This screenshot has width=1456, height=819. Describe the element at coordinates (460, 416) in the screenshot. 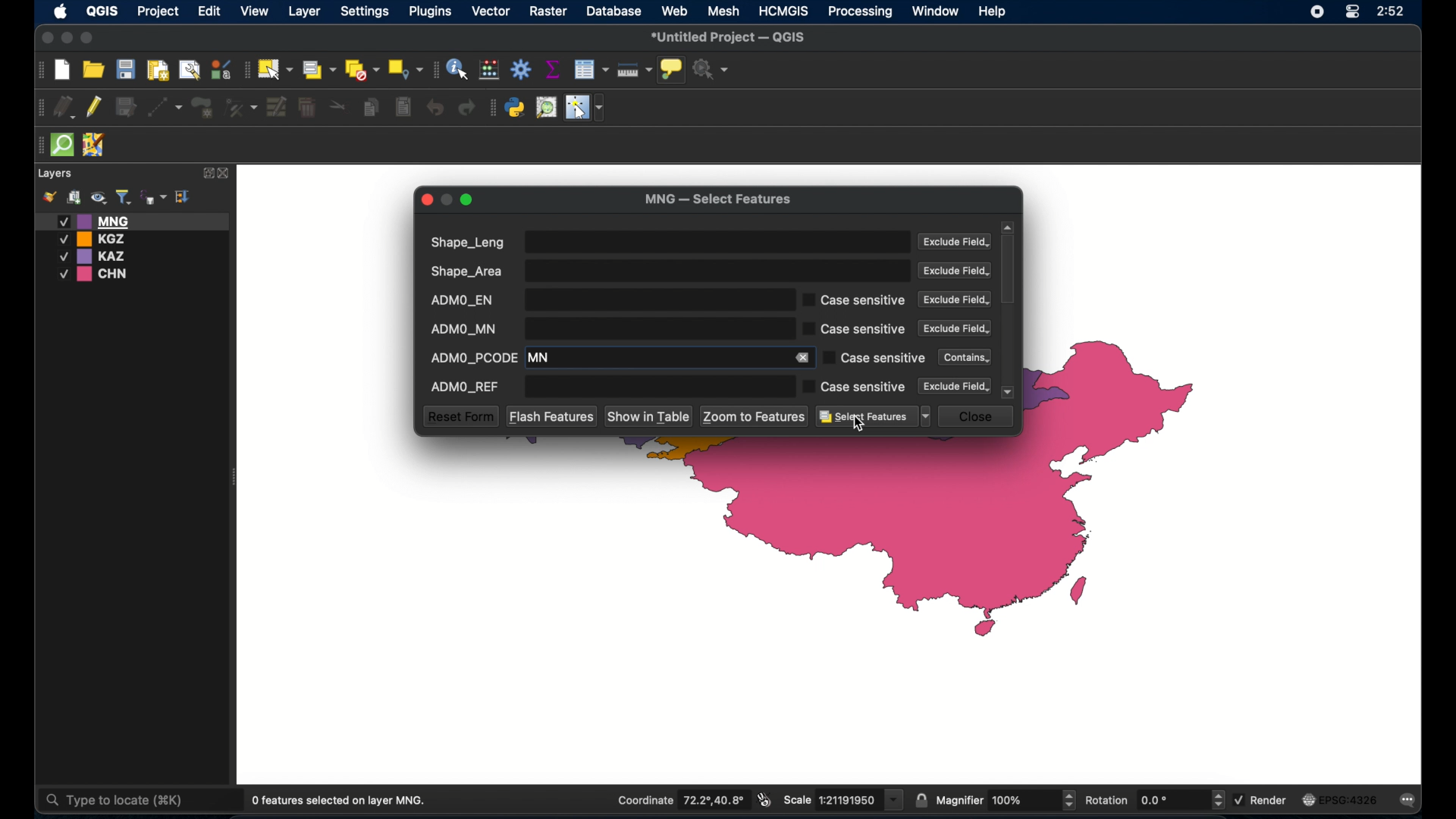

I see `reset form` at that location.